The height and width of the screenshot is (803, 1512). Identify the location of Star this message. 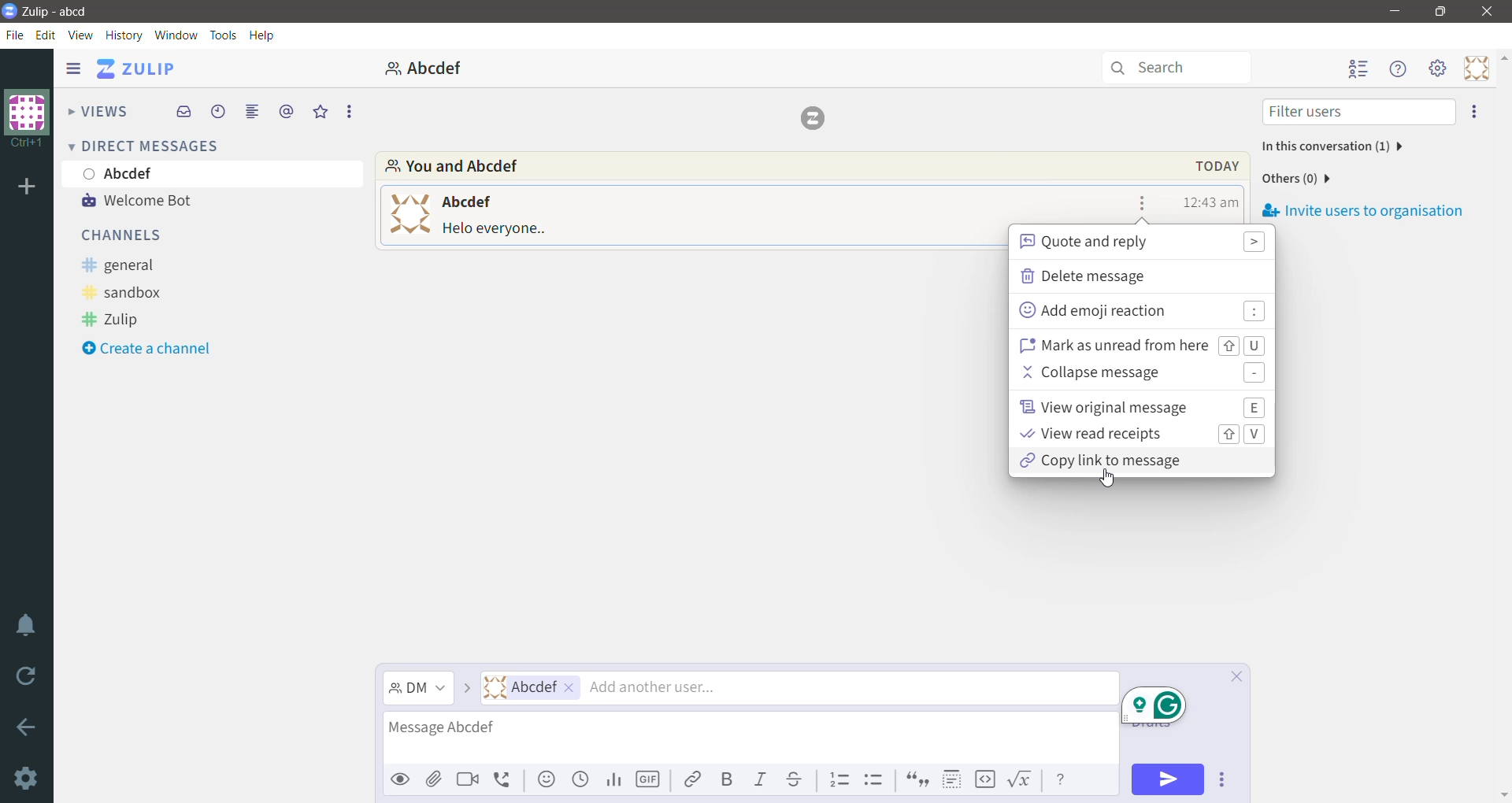
(1165, 202).